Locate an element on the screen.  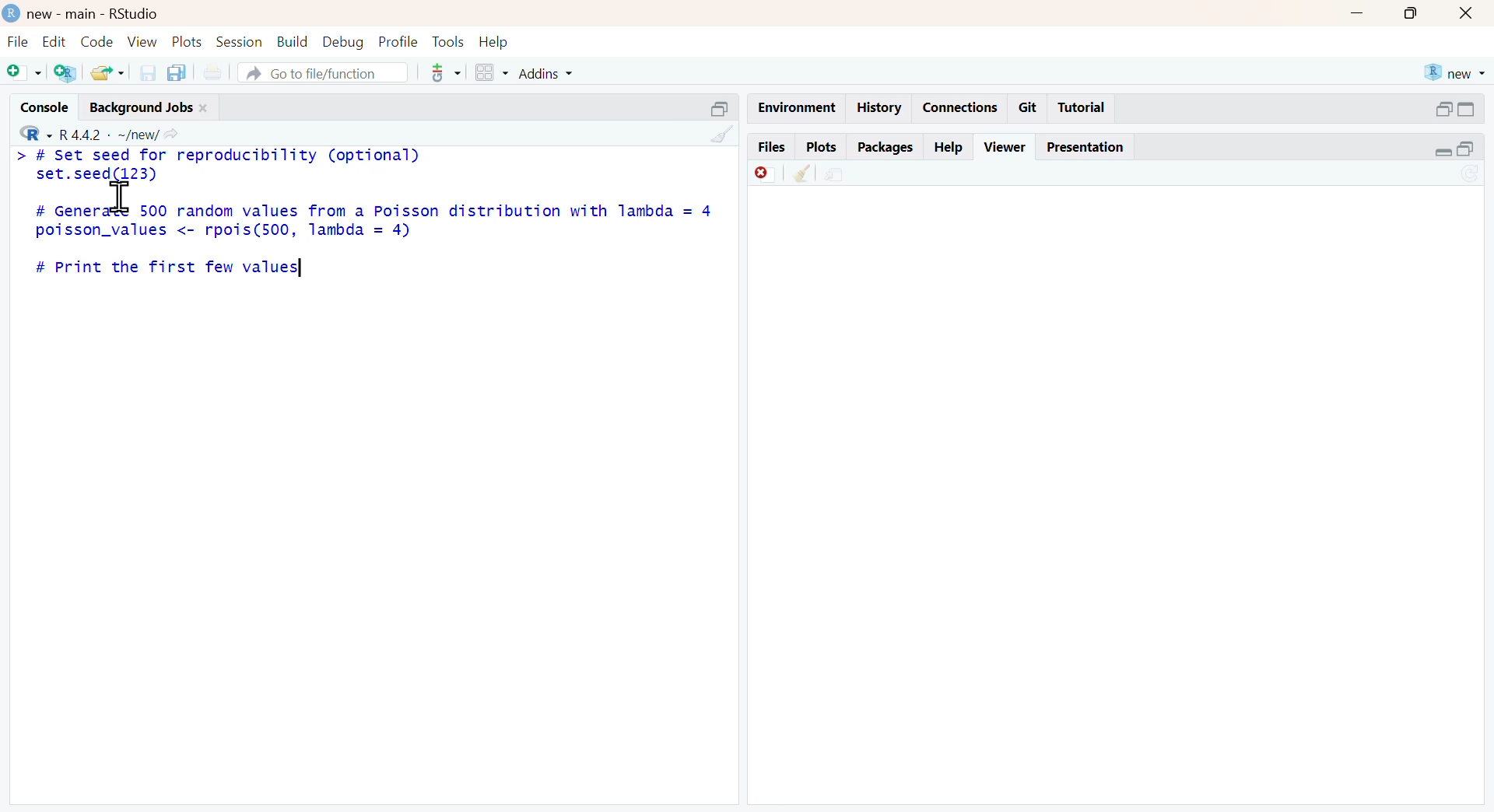
# Print the first few values is located at coordinates (170, 271).